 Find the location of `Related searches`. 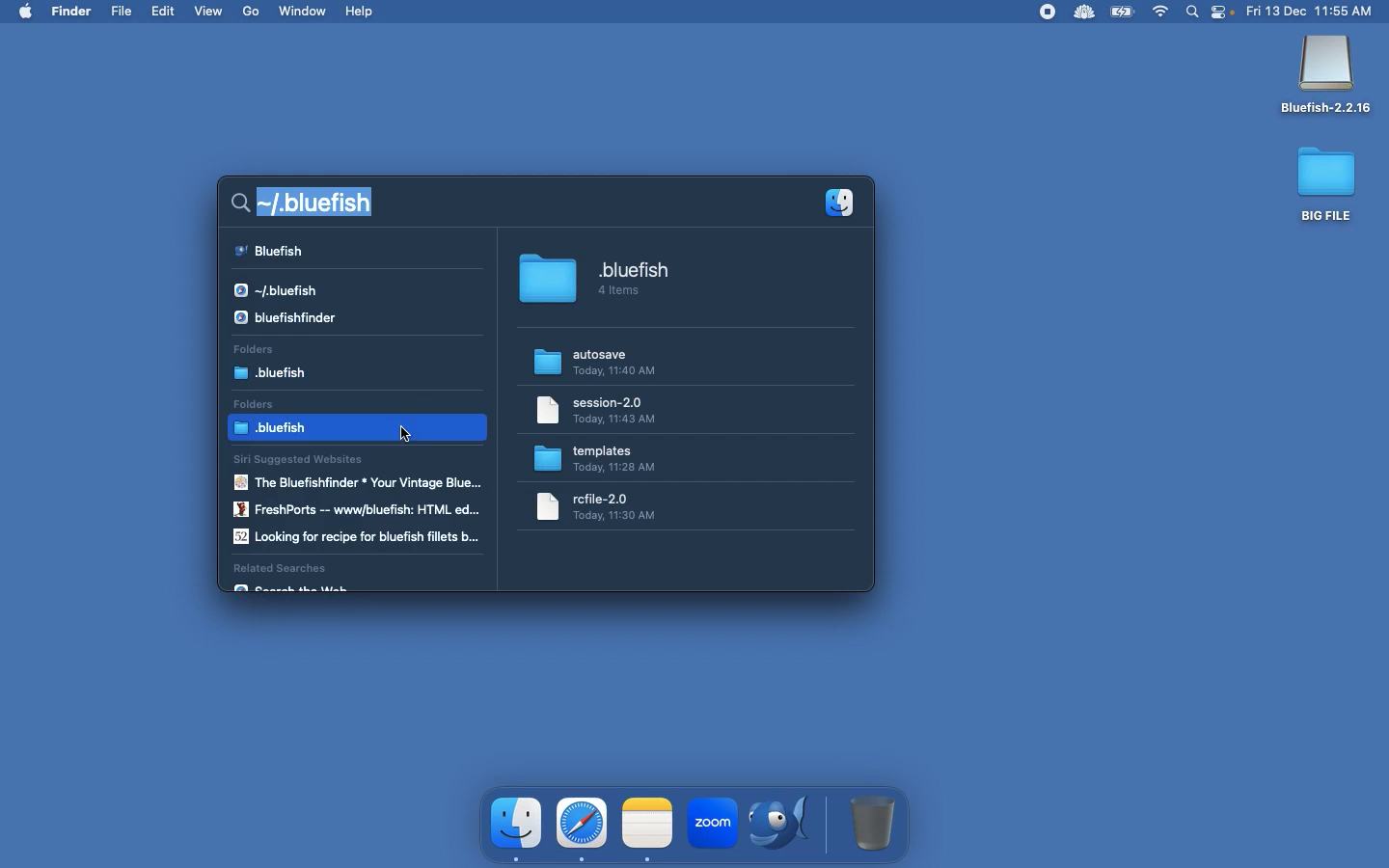

Related searches is located at coordinates (301, 569).